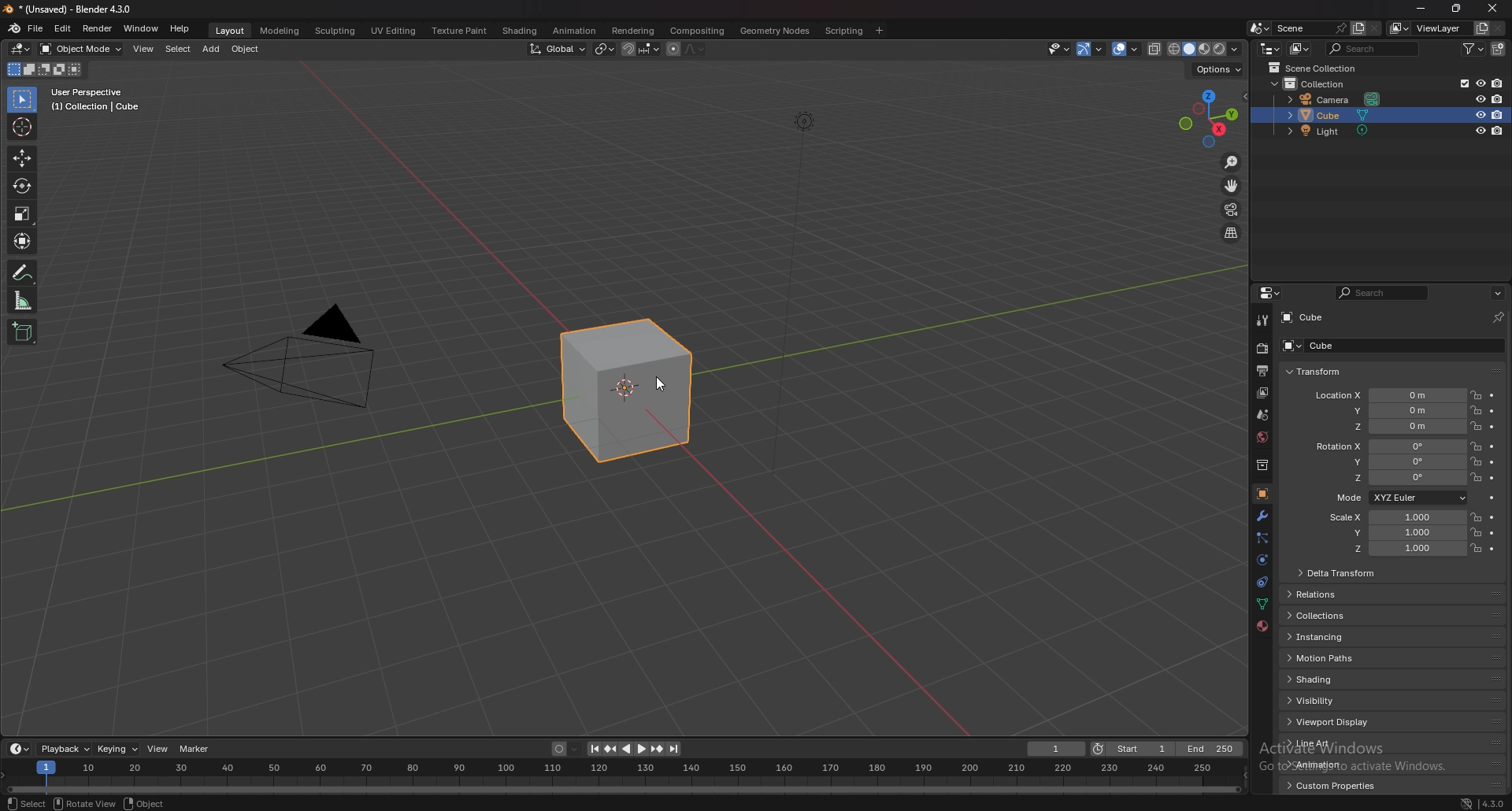 This screenshot has height=811, width=1512. Describe the element at coordinates (1388, 426) in the screenshot. I see `location z` at that location.